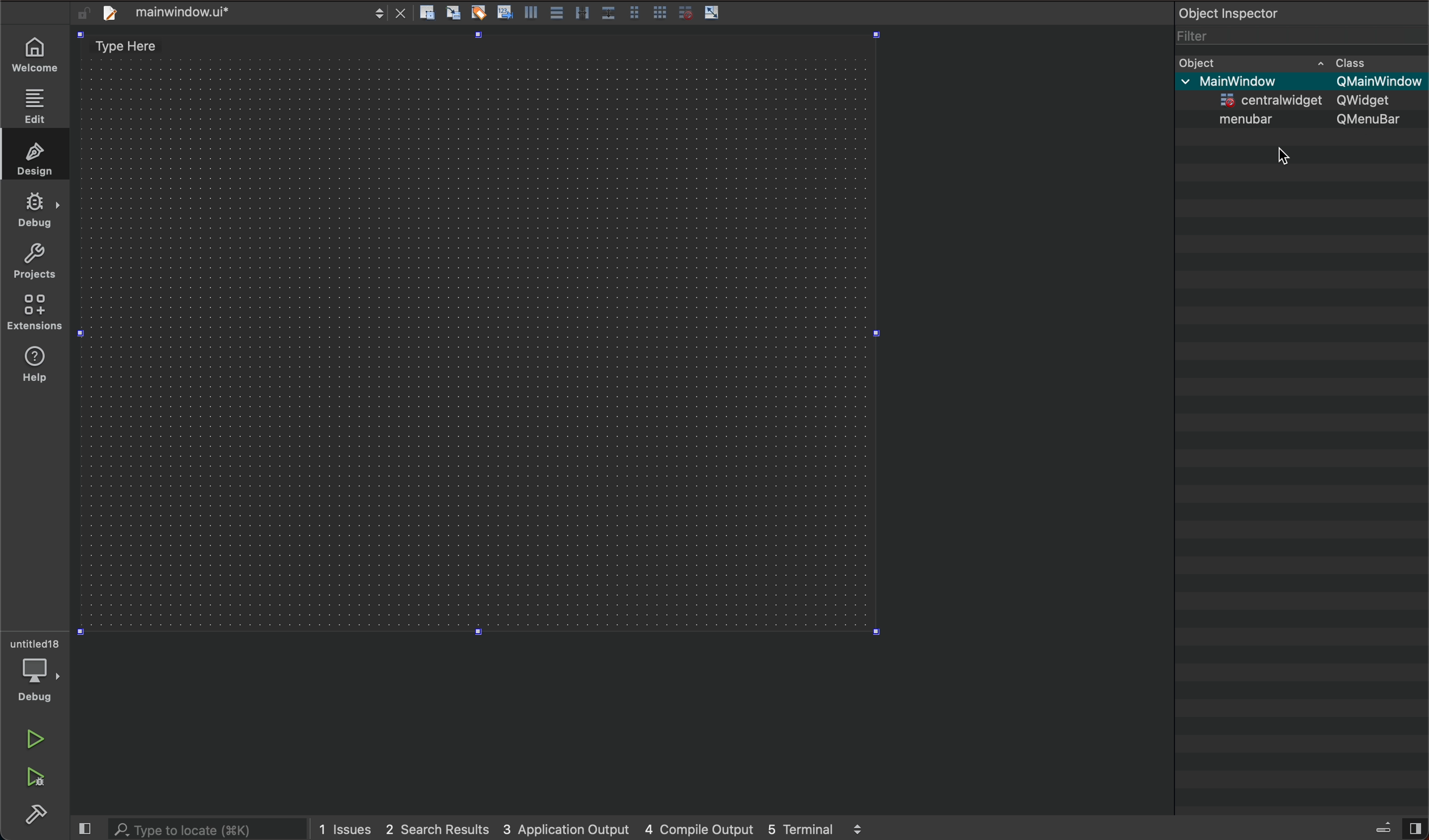  What do you see at coordinates (84, 826) in the screenshot?
I see `close slide bar` at bounding box center [84, 826].